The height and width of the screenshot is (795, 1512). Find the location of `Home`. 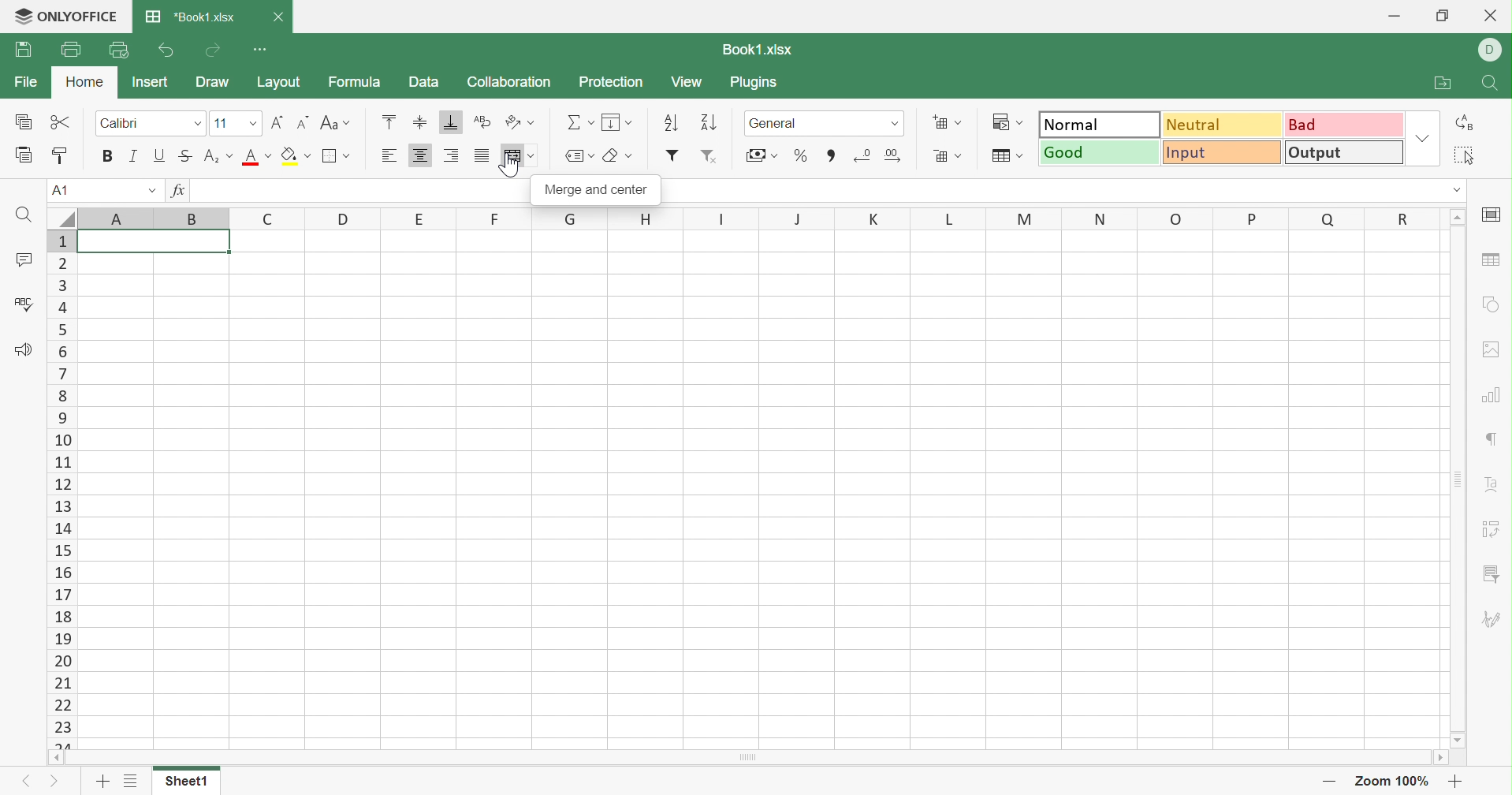

Home is located at coordinates (88, 84).